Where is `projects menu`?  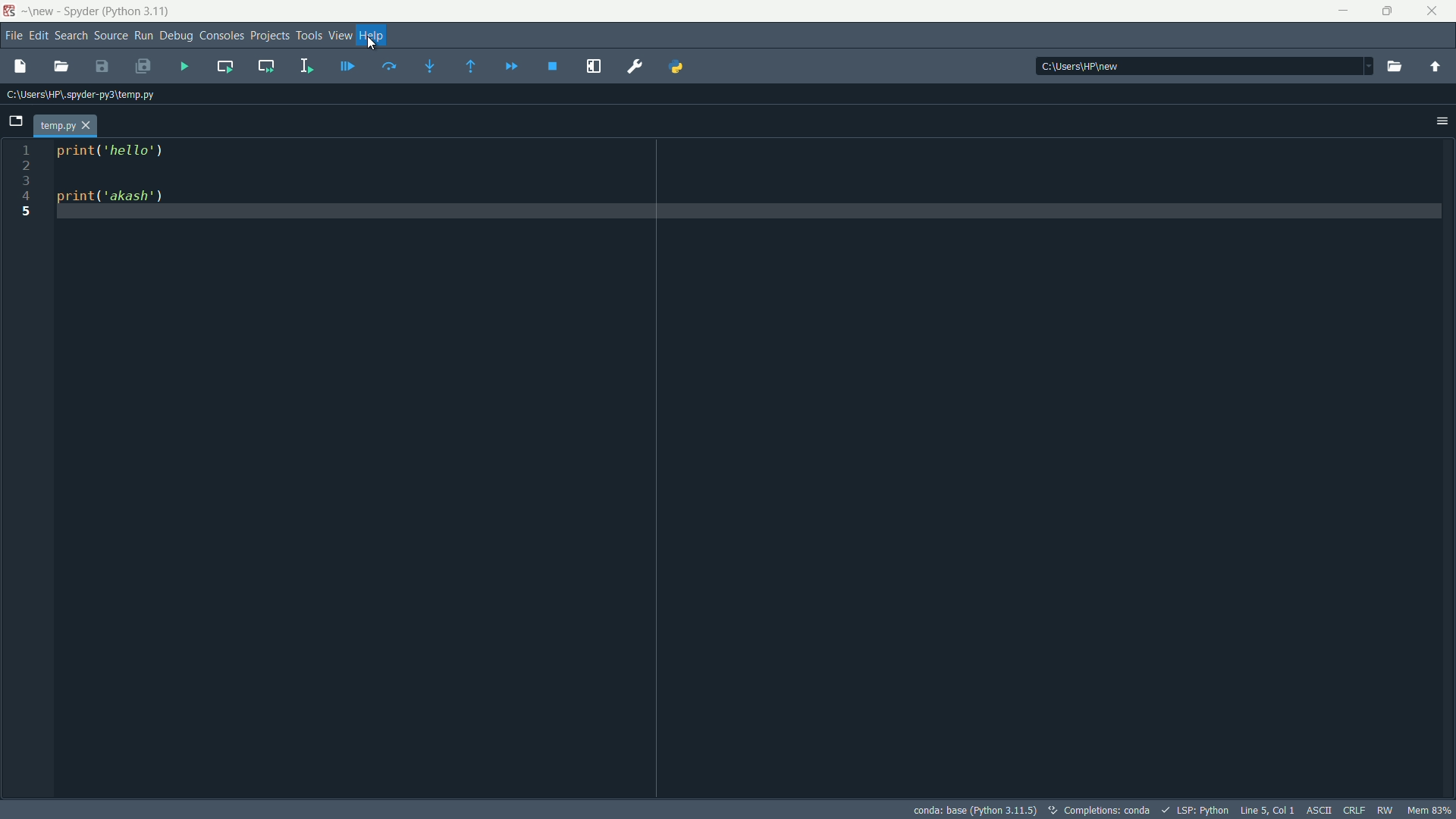
projects menu is located at coordinates (268, 36).